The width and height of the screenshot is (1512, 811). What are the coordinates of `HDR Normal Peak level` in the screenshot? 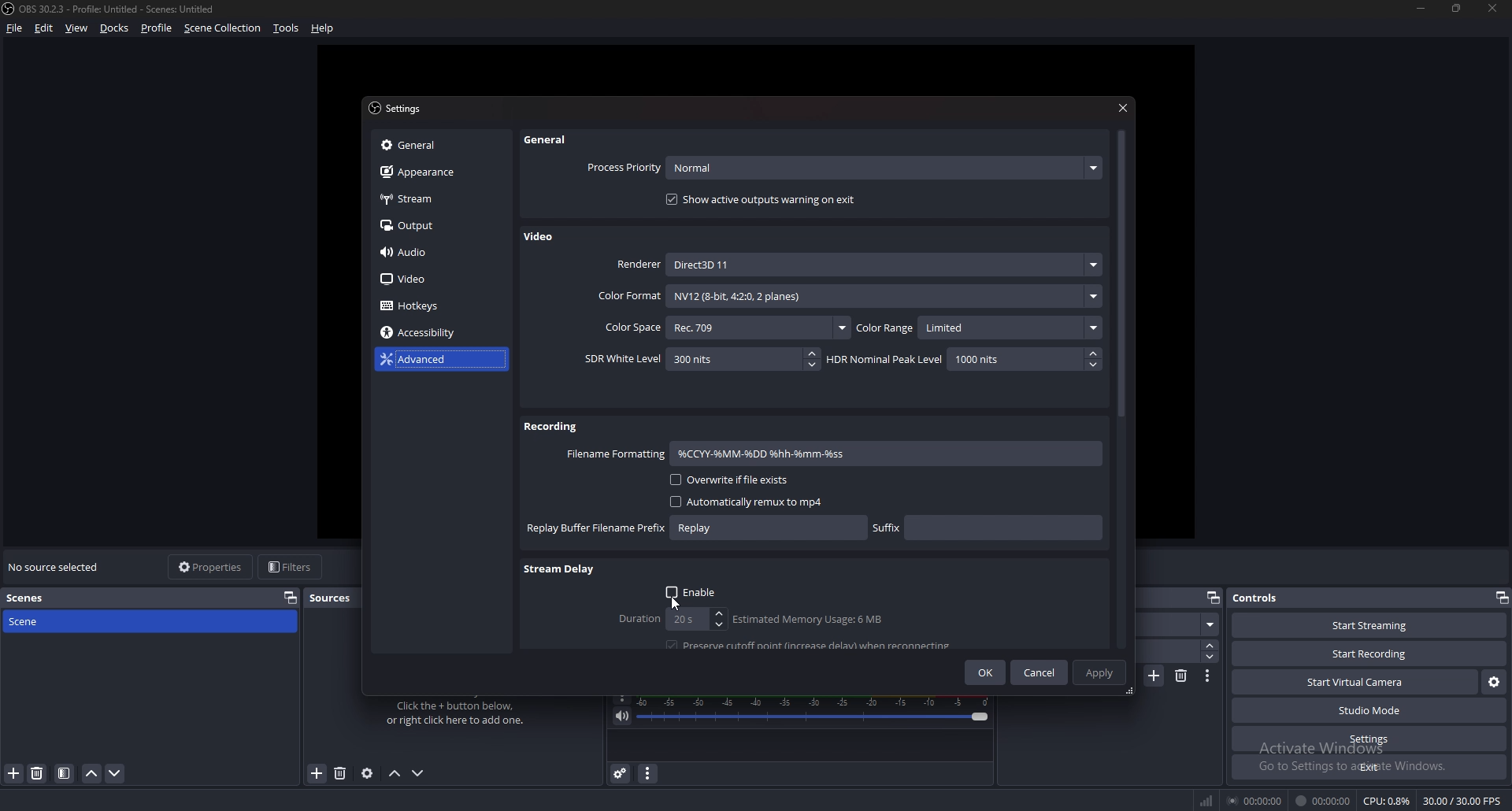 It's located at (962, 359).